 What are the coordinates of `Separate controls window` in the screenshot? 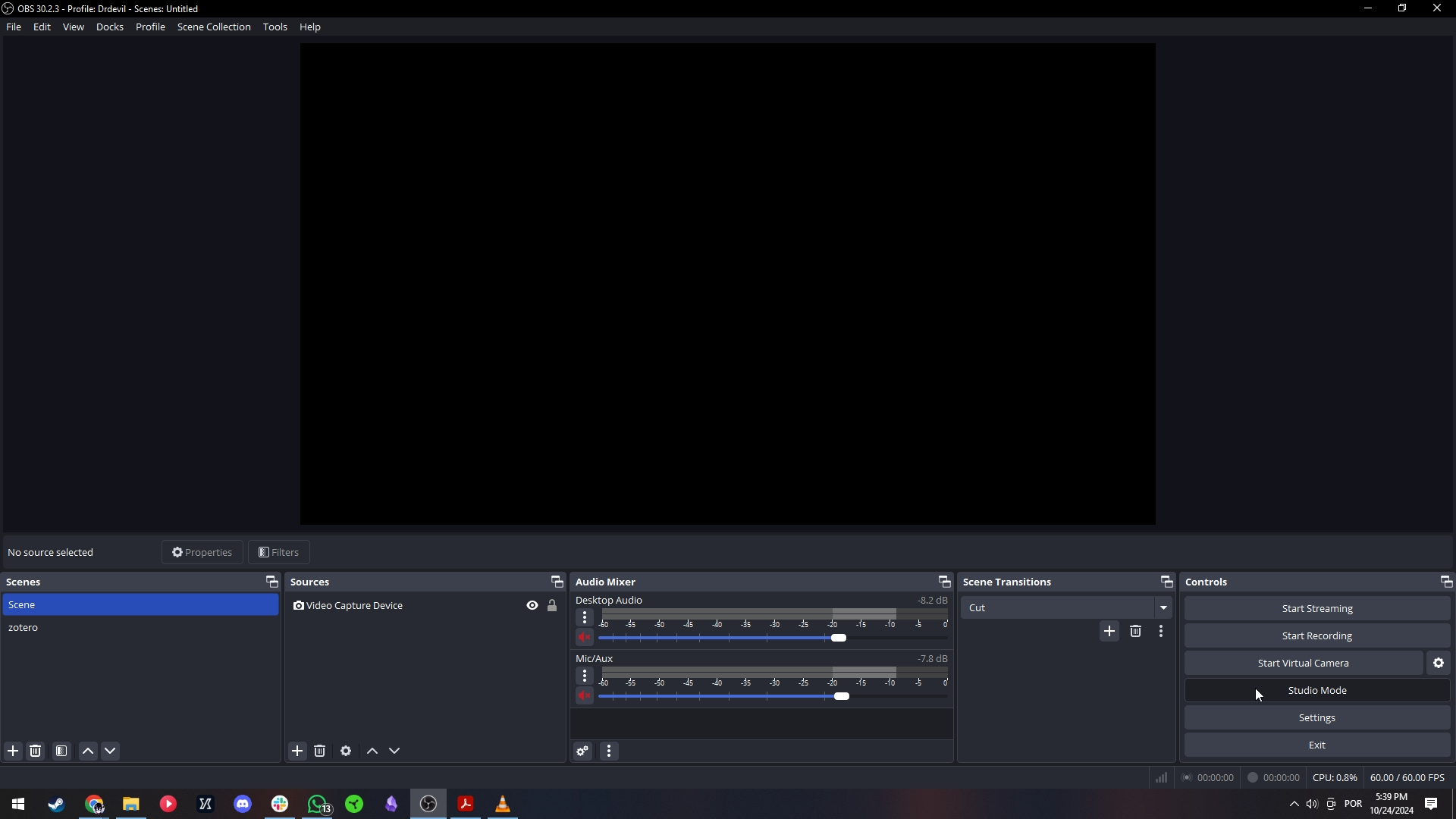 It's located at (1447, 582).